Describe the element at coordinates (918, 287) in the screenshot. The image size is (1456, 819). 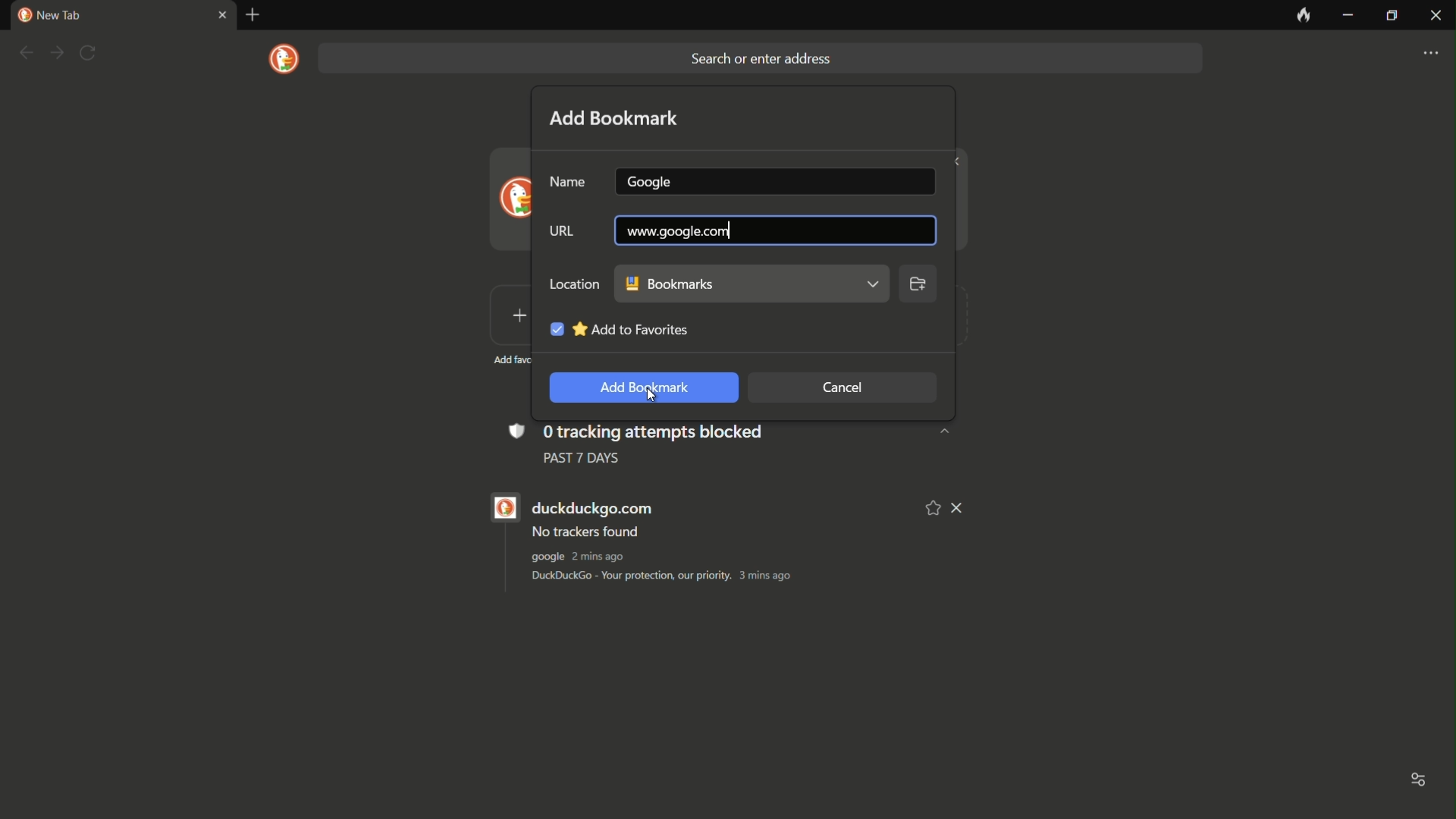
I see `browse location` at that location.